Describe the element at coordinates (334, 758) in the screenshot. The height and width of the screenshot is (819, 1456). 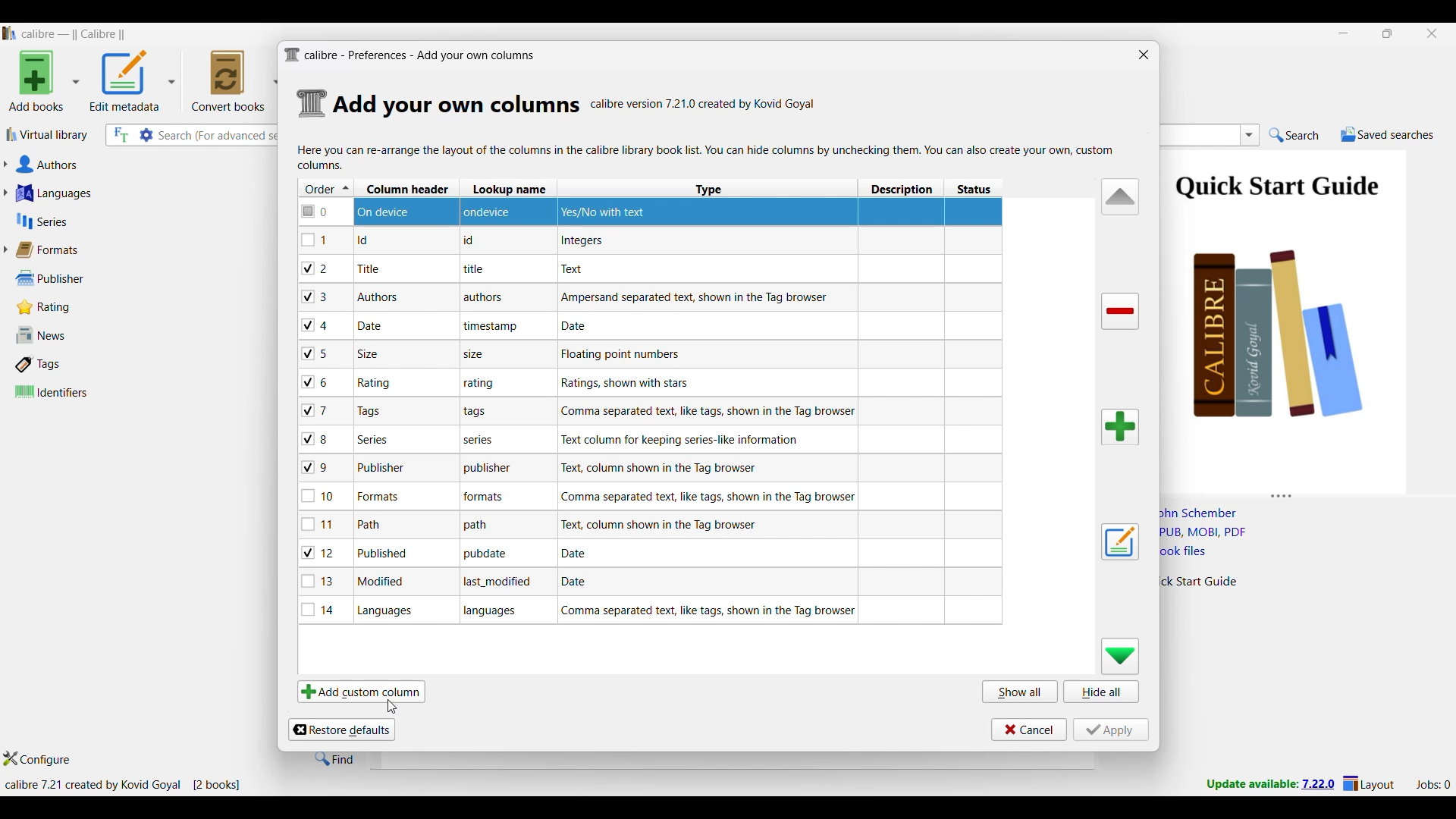
I see `Find` at that location.